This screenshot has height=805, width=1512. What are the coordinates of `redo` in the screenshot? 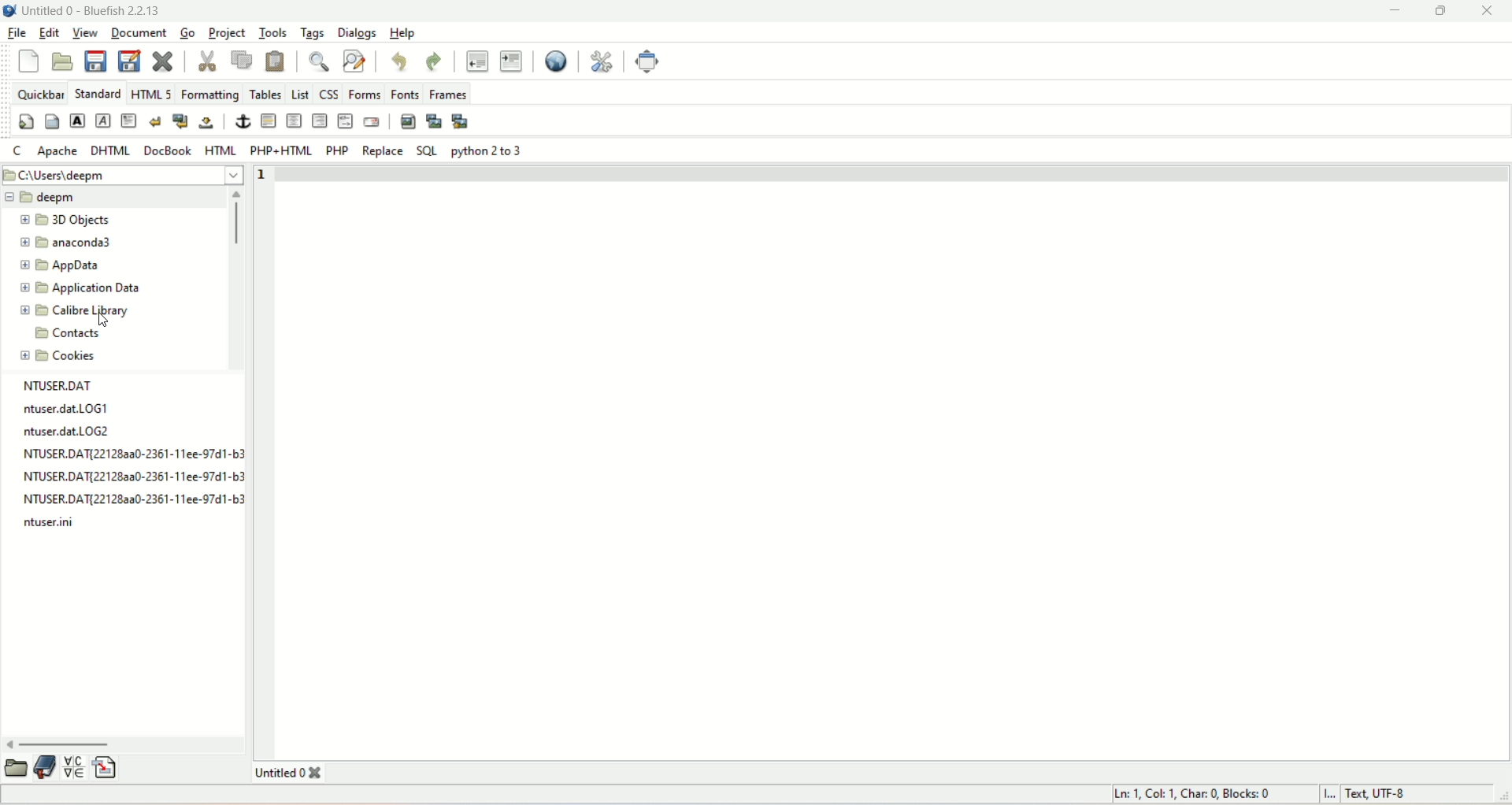 It's located at (432, 59).